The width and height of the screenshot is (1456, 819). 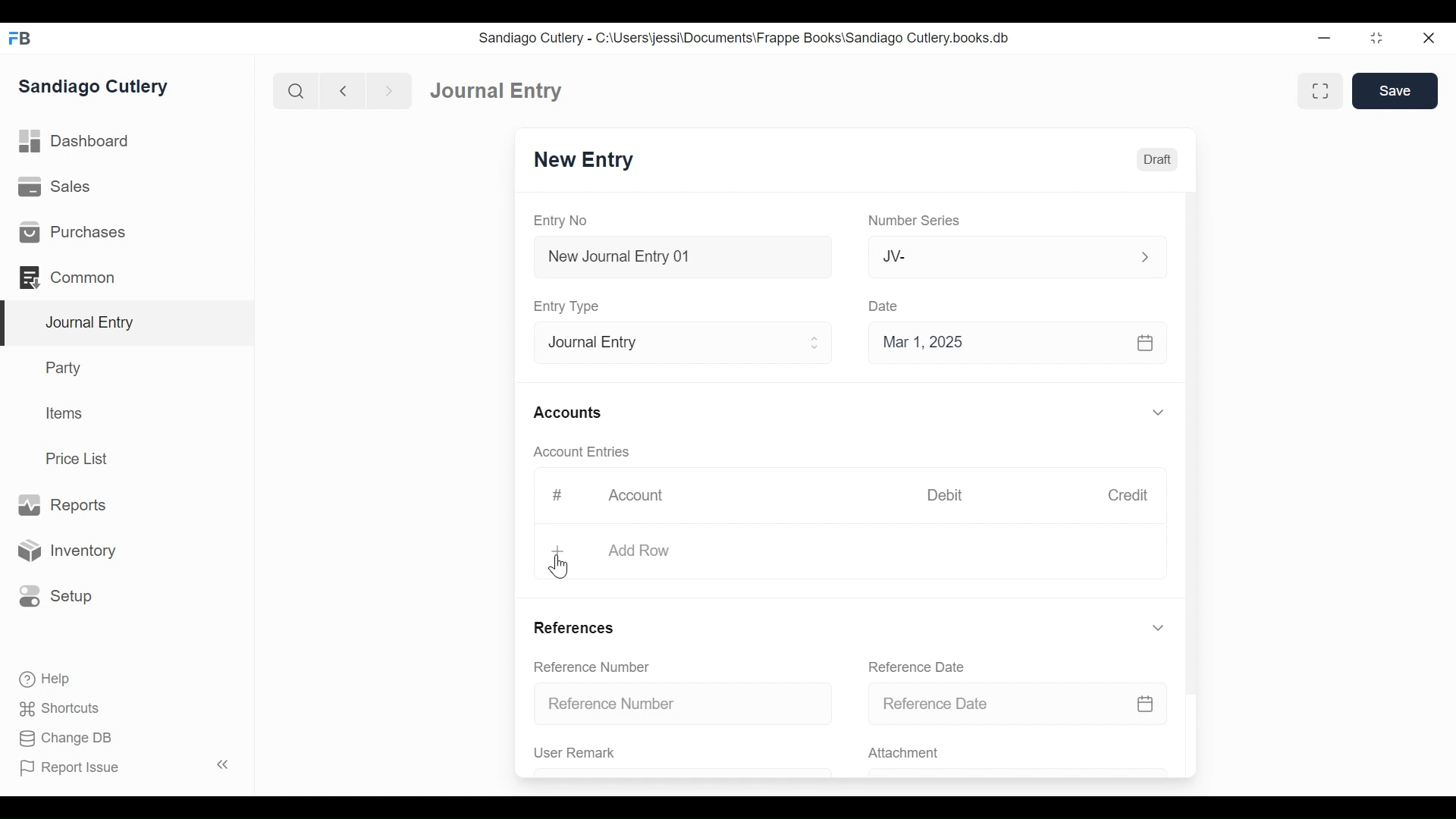 What do you see at coordinates (220, 764) in the screenshot?
I see `collapse sidebar` at bounding box center [220, 764].